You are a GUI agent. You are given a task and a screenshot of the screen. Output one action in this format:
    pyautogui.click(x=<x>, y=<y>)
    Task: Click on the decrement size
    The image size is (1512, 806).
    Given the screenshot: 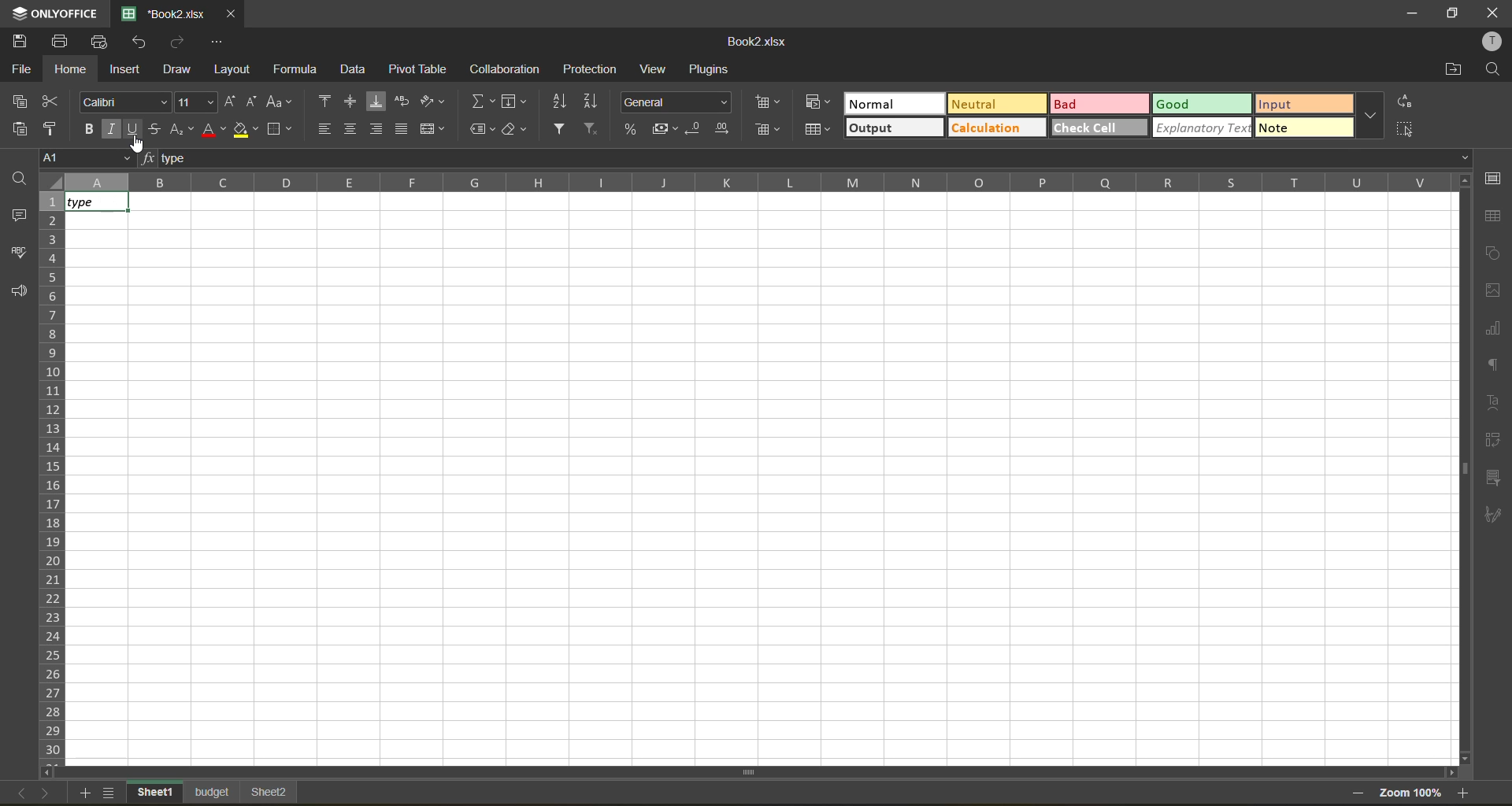 What is the action you would take?
    pyautogui.click(x=254, y=103)
    